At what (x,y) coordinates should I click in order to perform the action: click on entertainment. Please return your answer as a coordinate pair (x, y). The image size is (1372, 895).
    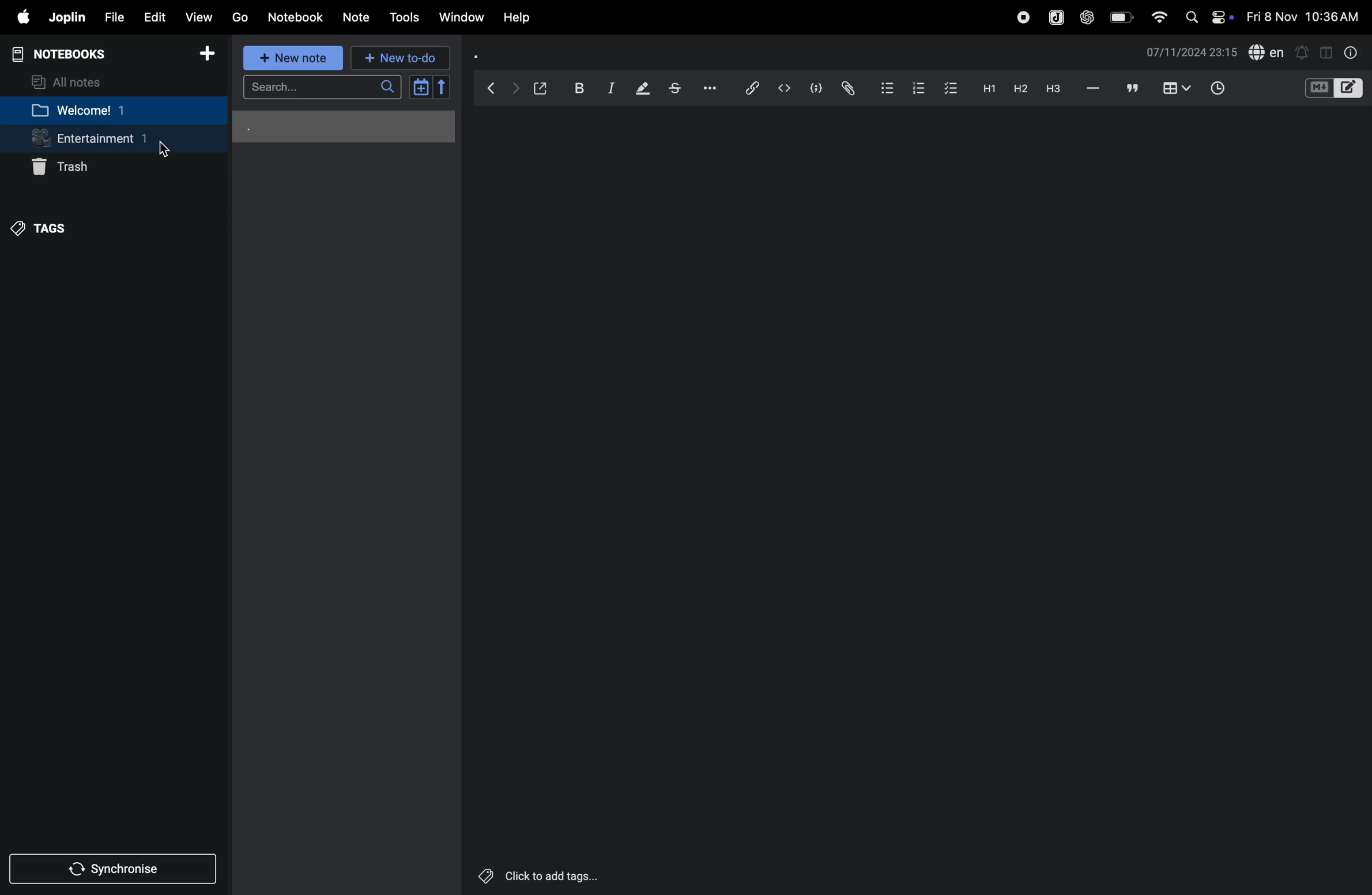
    Looking at the image, I should click on (110, 140).